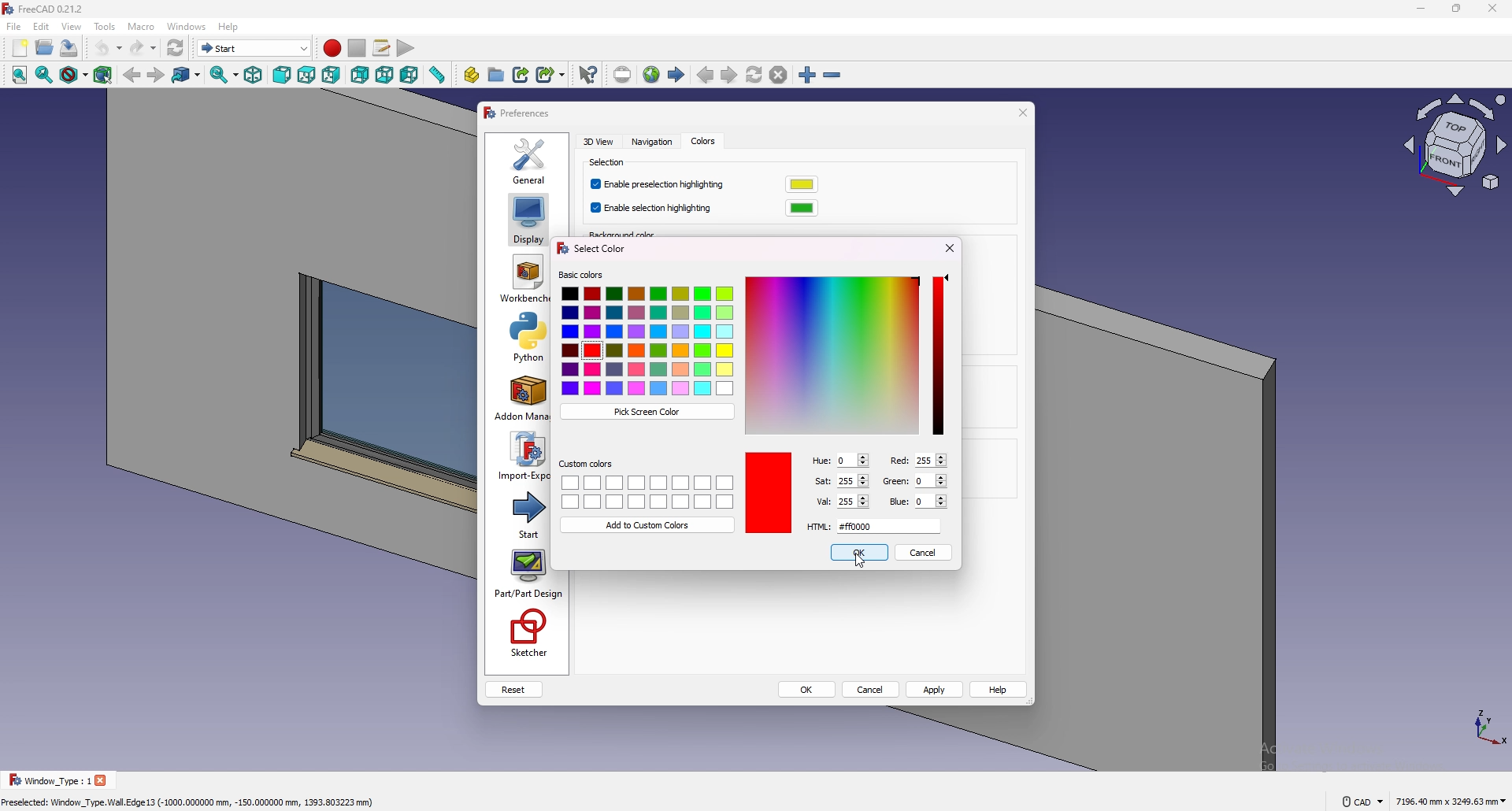 The height and width of the screenshot is (811, 1512). I want to click on tourus, so click(1480, 726).